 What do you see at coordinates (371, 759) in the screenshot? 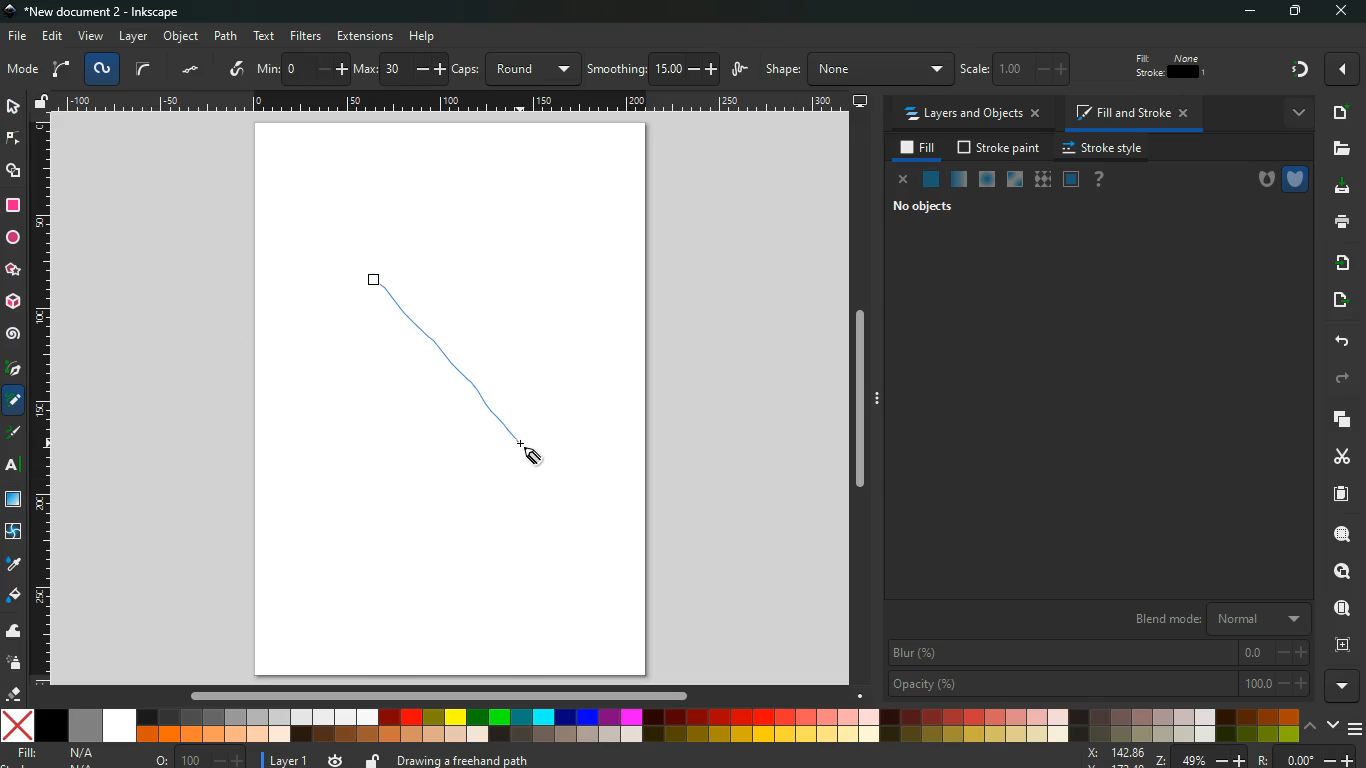
I see `unlock` at bounding box center [371, 759].